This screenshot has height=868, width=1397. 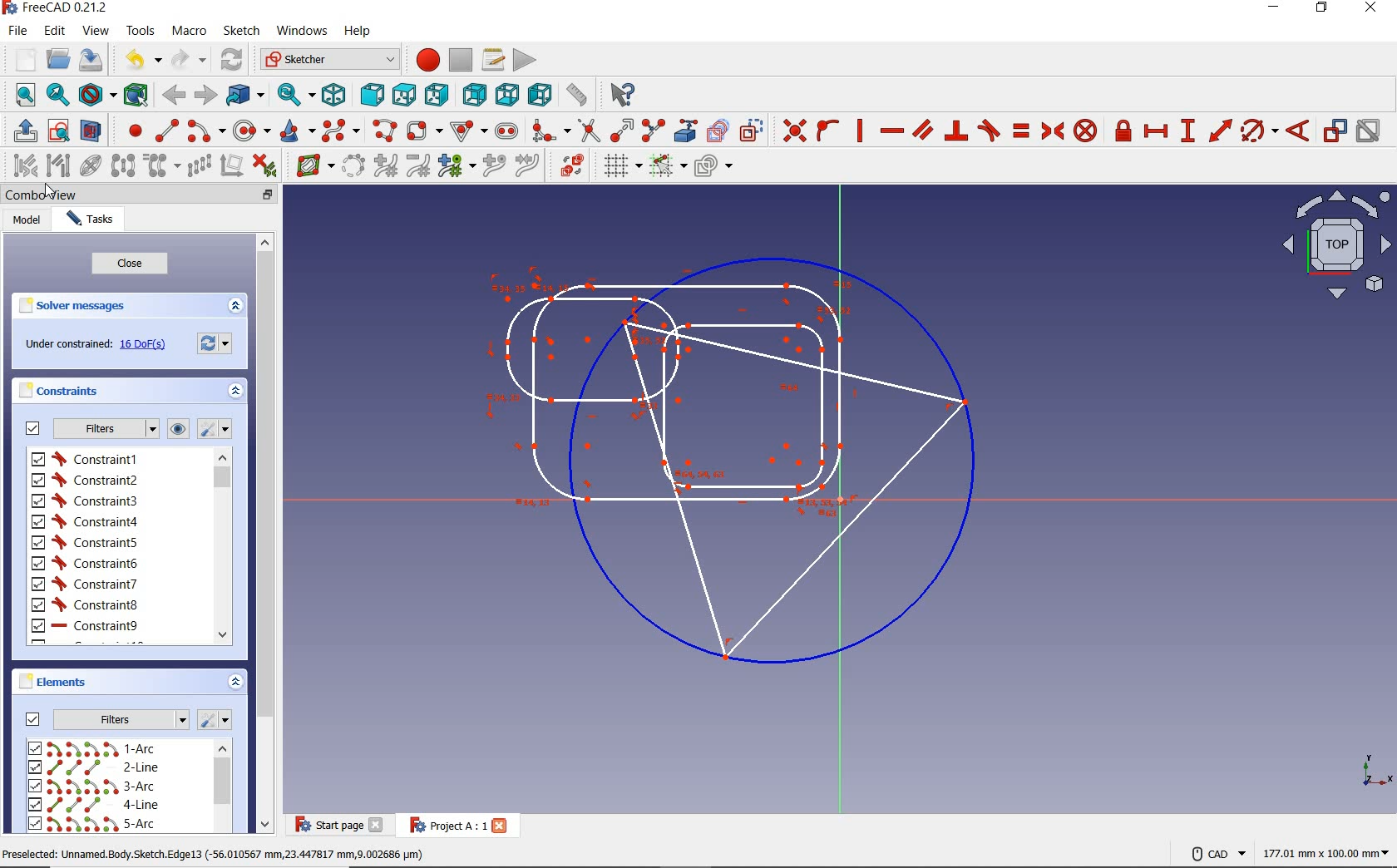 What do you see at coordinates (1296, 130) in the screenshot?
I see `constraing angle` at bounding box center [1296, 130].